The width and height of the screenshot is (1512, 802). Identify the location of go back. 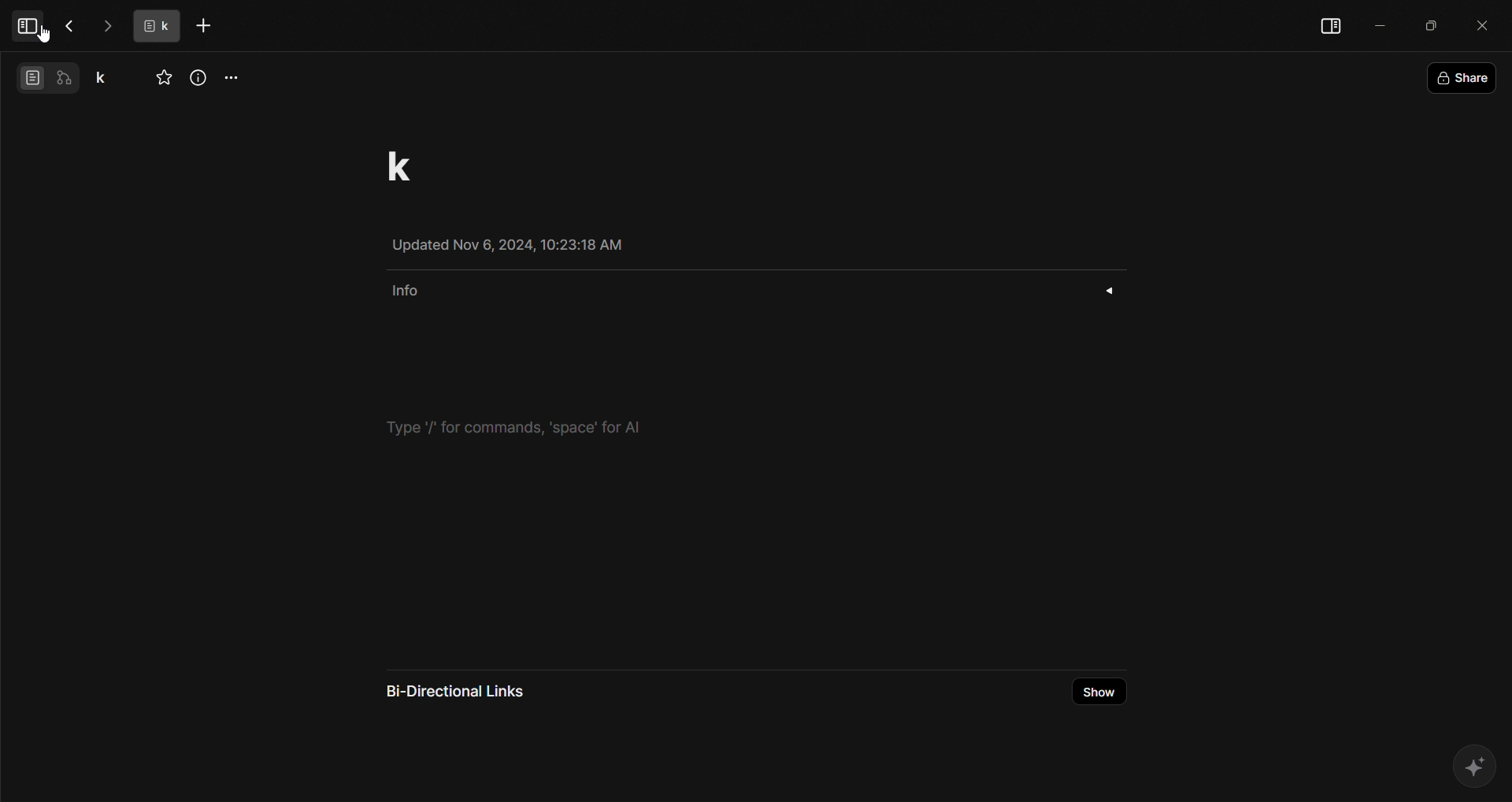
(72, 26).